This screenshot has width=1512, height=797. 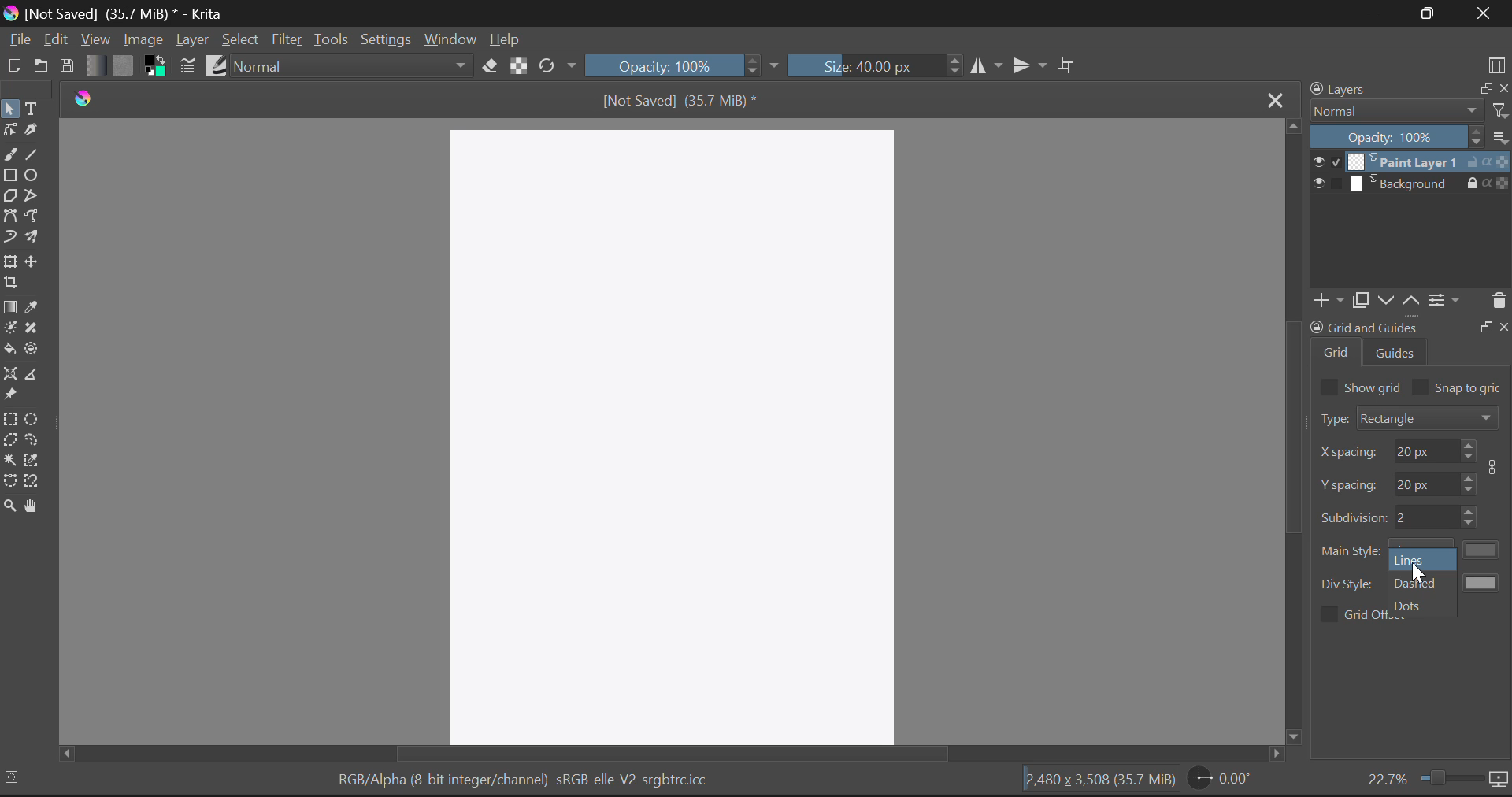 What do you see at coordinates (1349, 584) in the screenshot?
I see `div style` at bounding box center [1349, 584].